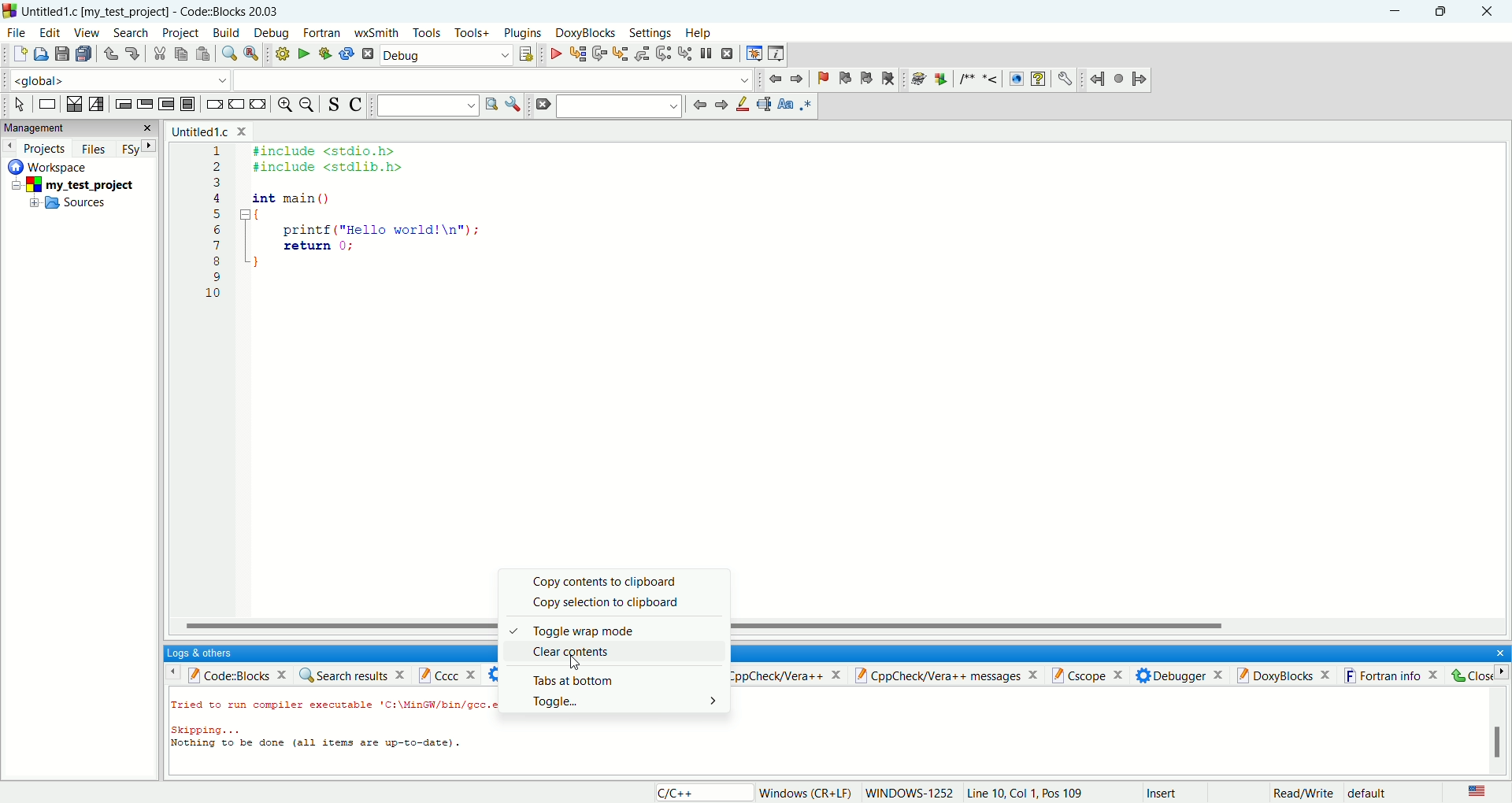  I want to click on return instruction, so click(258, 104).